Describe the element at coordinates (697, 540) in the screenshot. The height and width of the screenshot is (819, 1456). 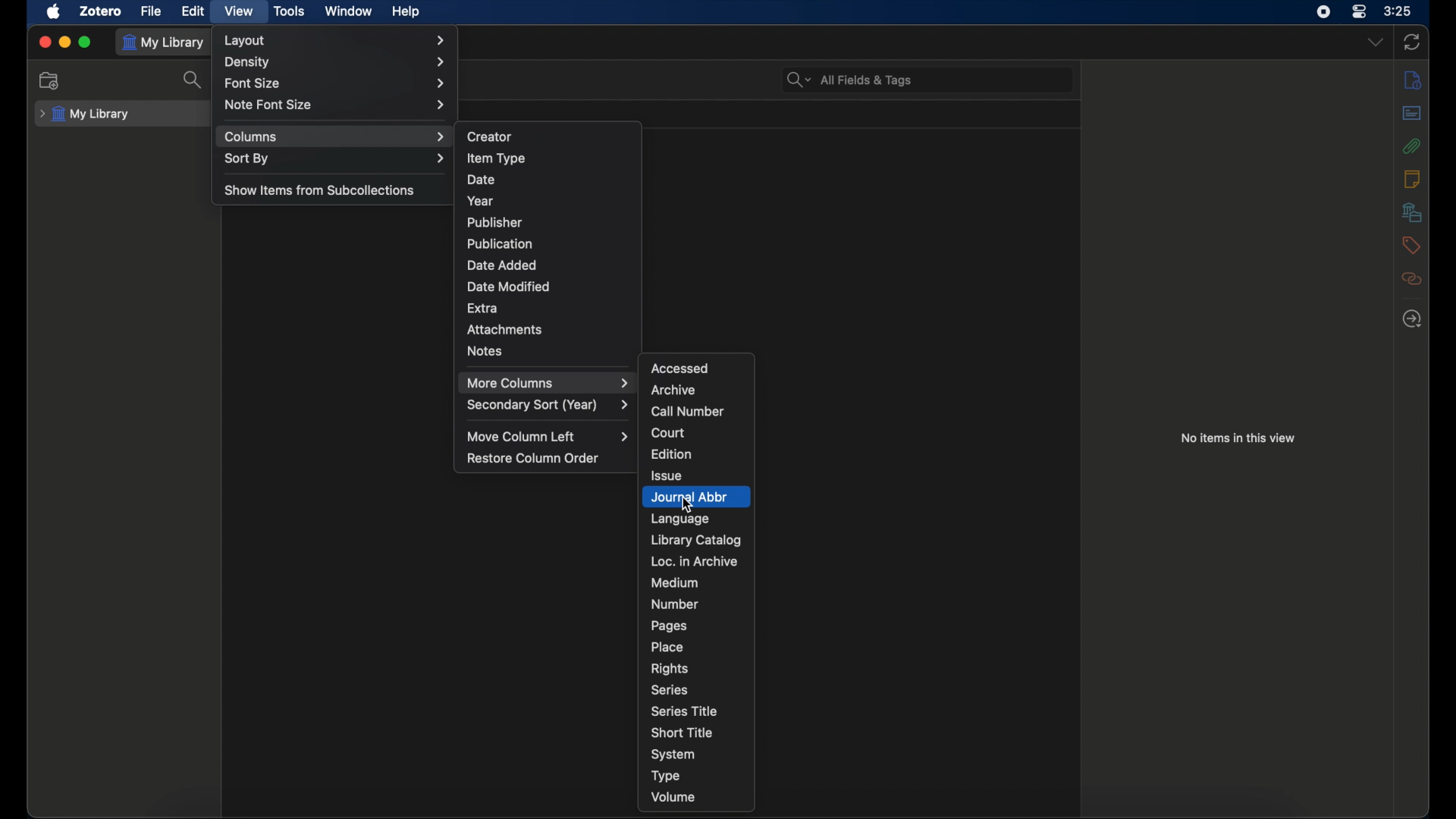
I see `library catalog` at that location.